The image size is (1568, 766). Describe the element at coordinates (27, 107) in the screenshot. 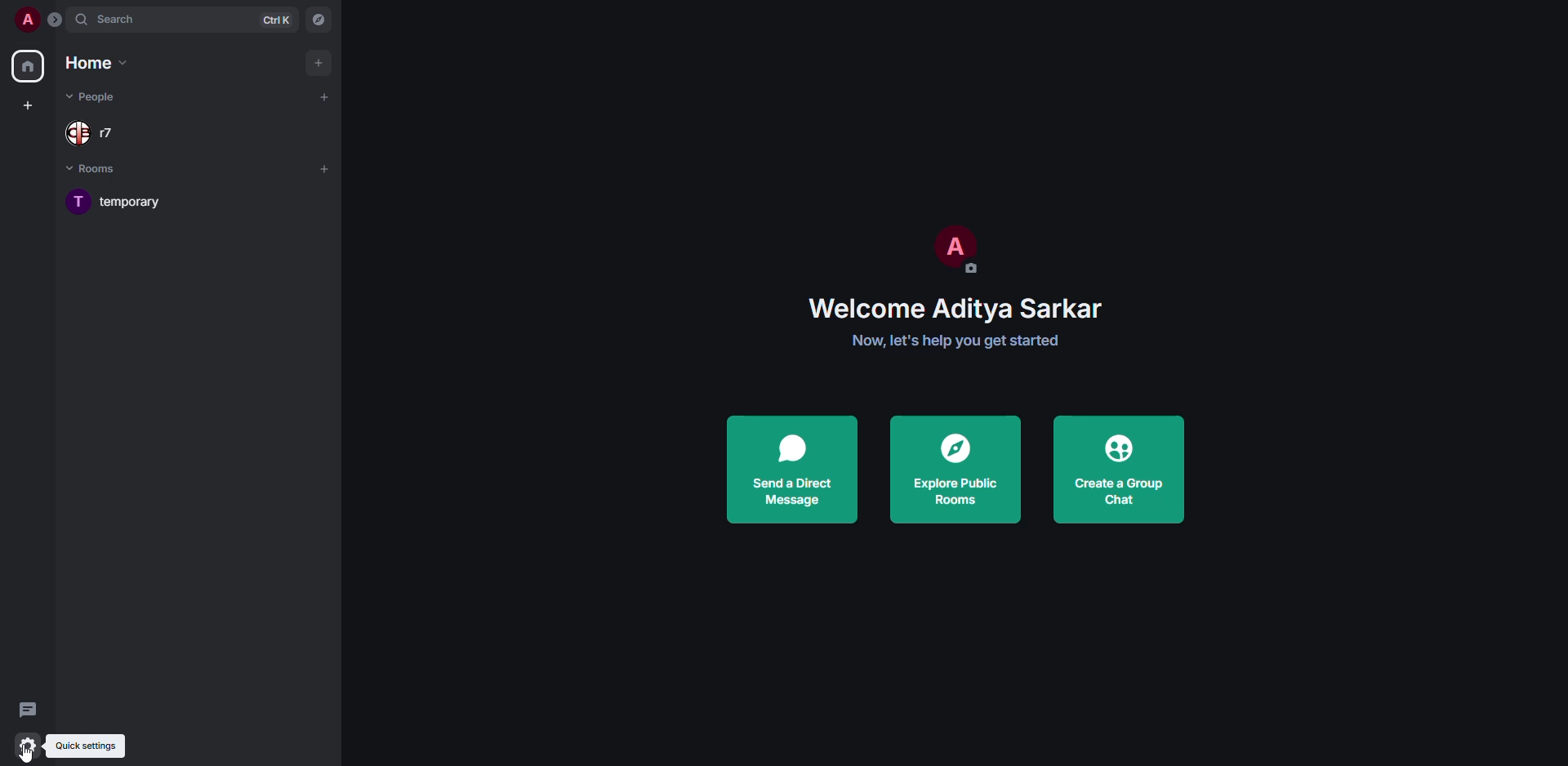

I see `create space` at that location.